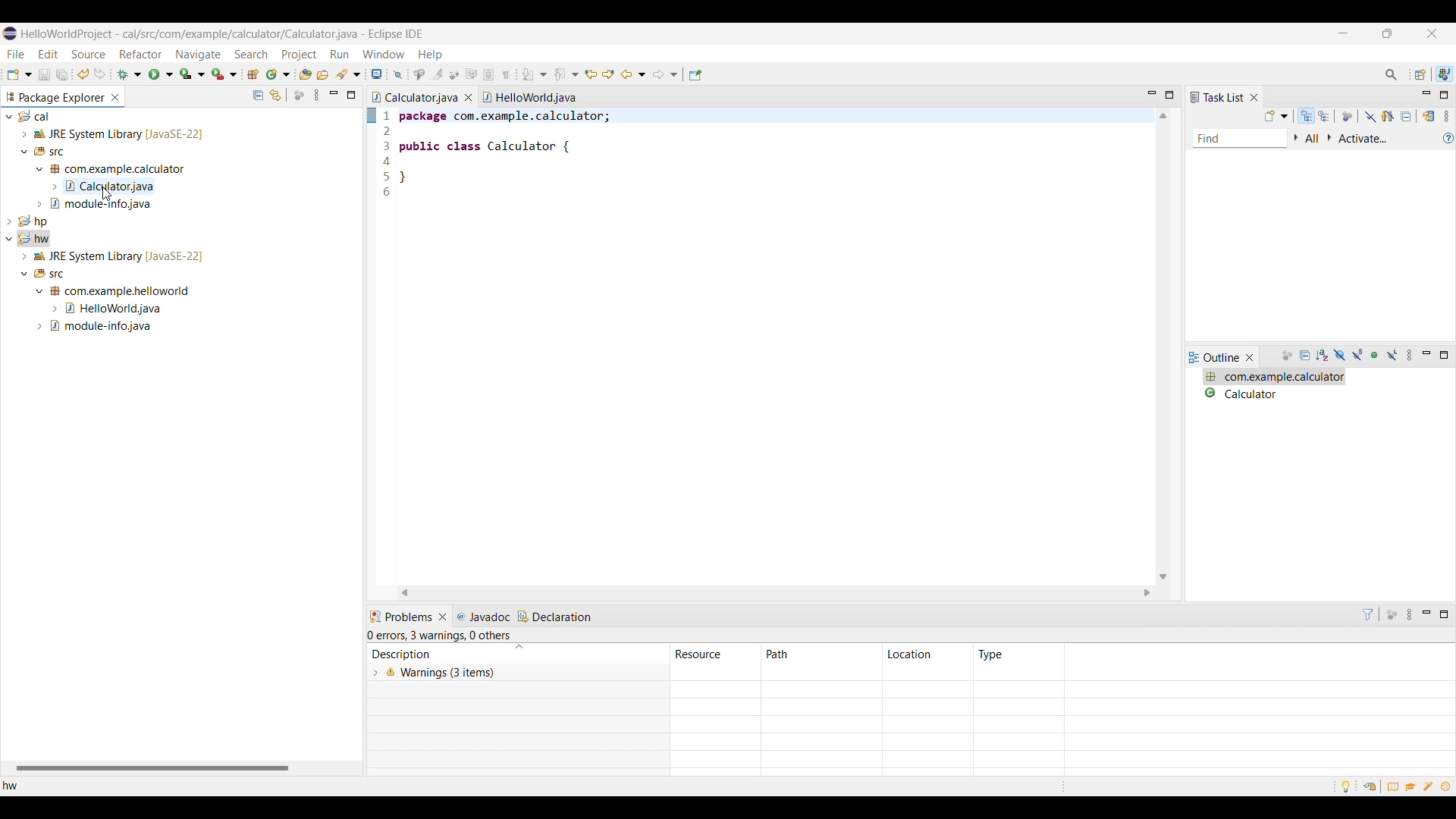 Image resolution: width=1456 pixels, height=819 pixels. Describe the element at coordinates (88, 54) in the screenshot. I see `Source` at that location.